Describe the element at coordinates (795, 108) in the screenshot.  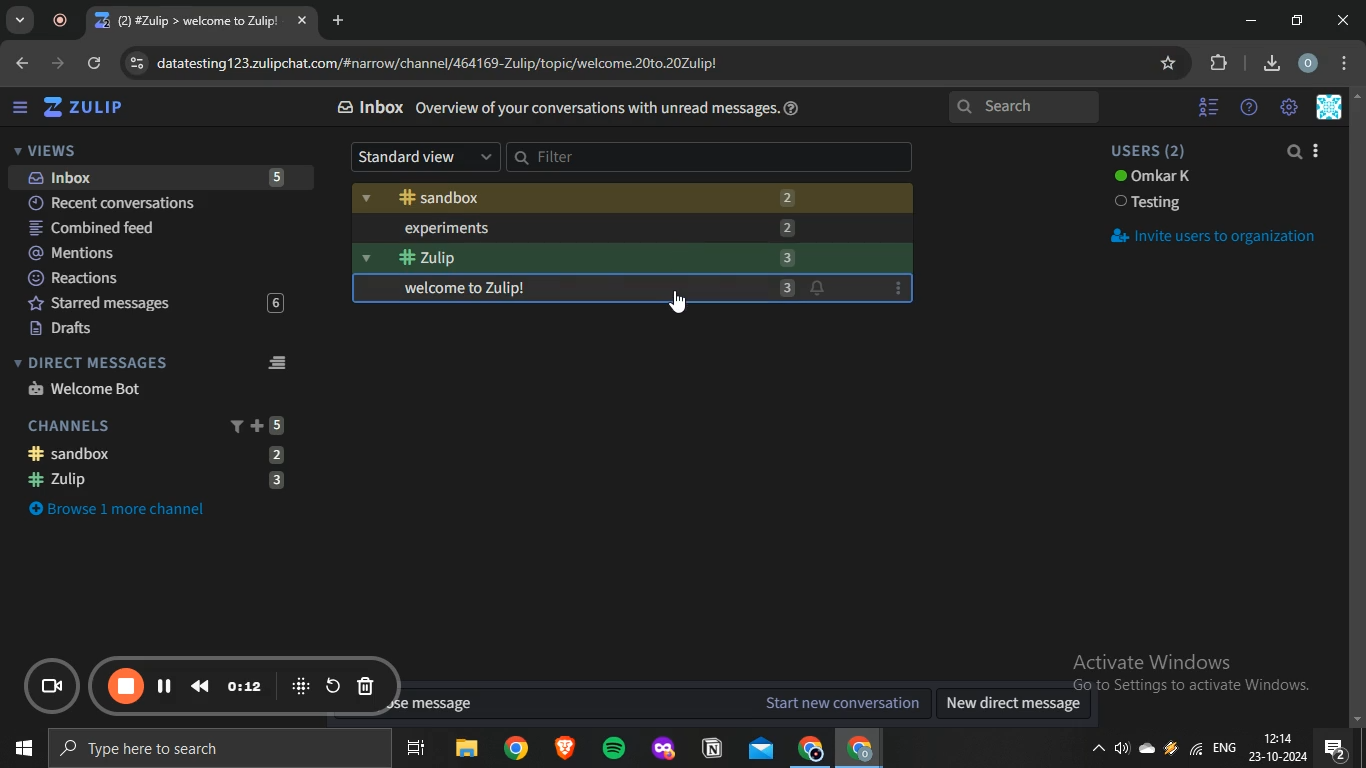
I see `get help` at that location.